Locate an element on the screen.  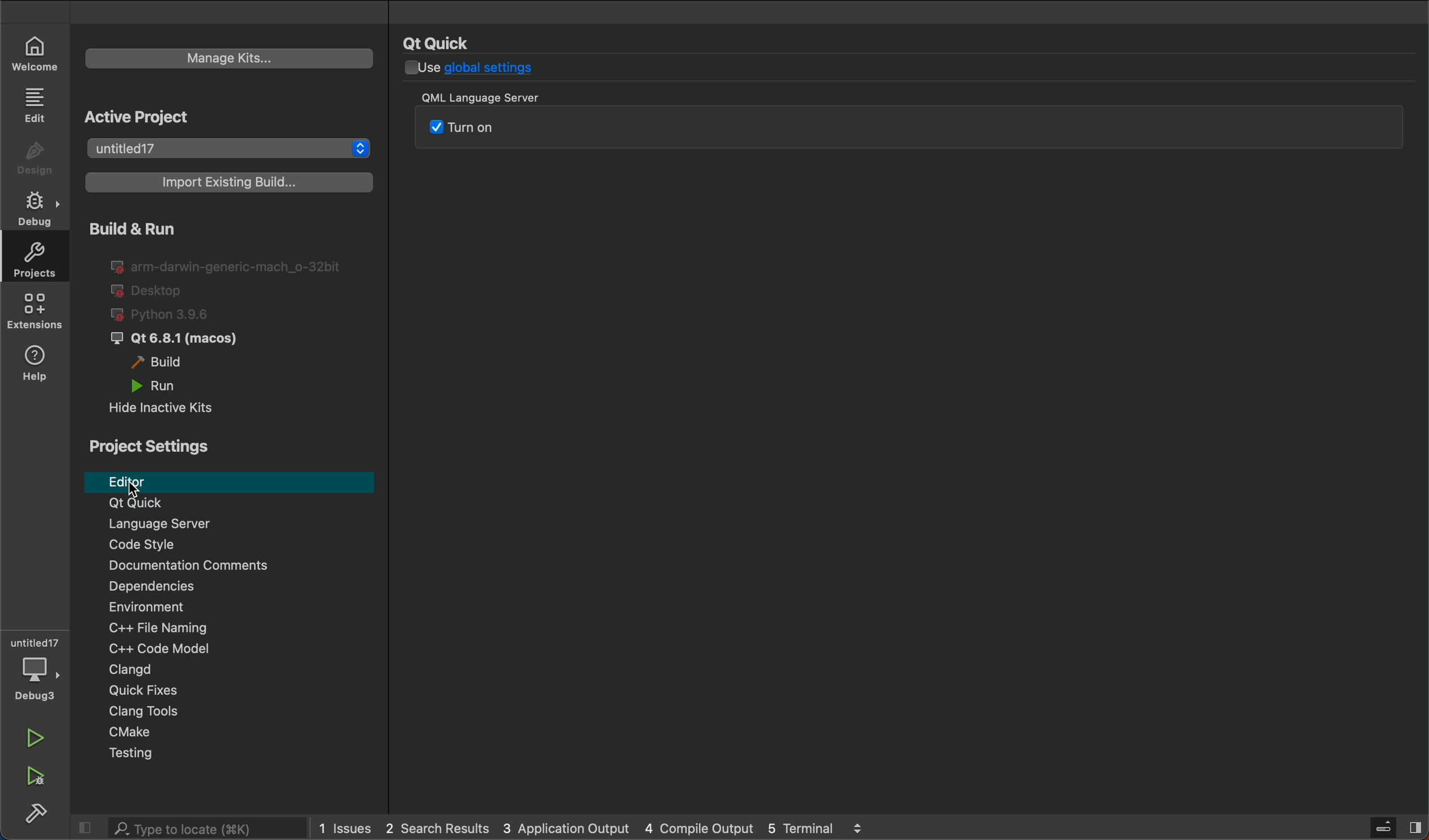
debug is located at coordinates (40, 207).